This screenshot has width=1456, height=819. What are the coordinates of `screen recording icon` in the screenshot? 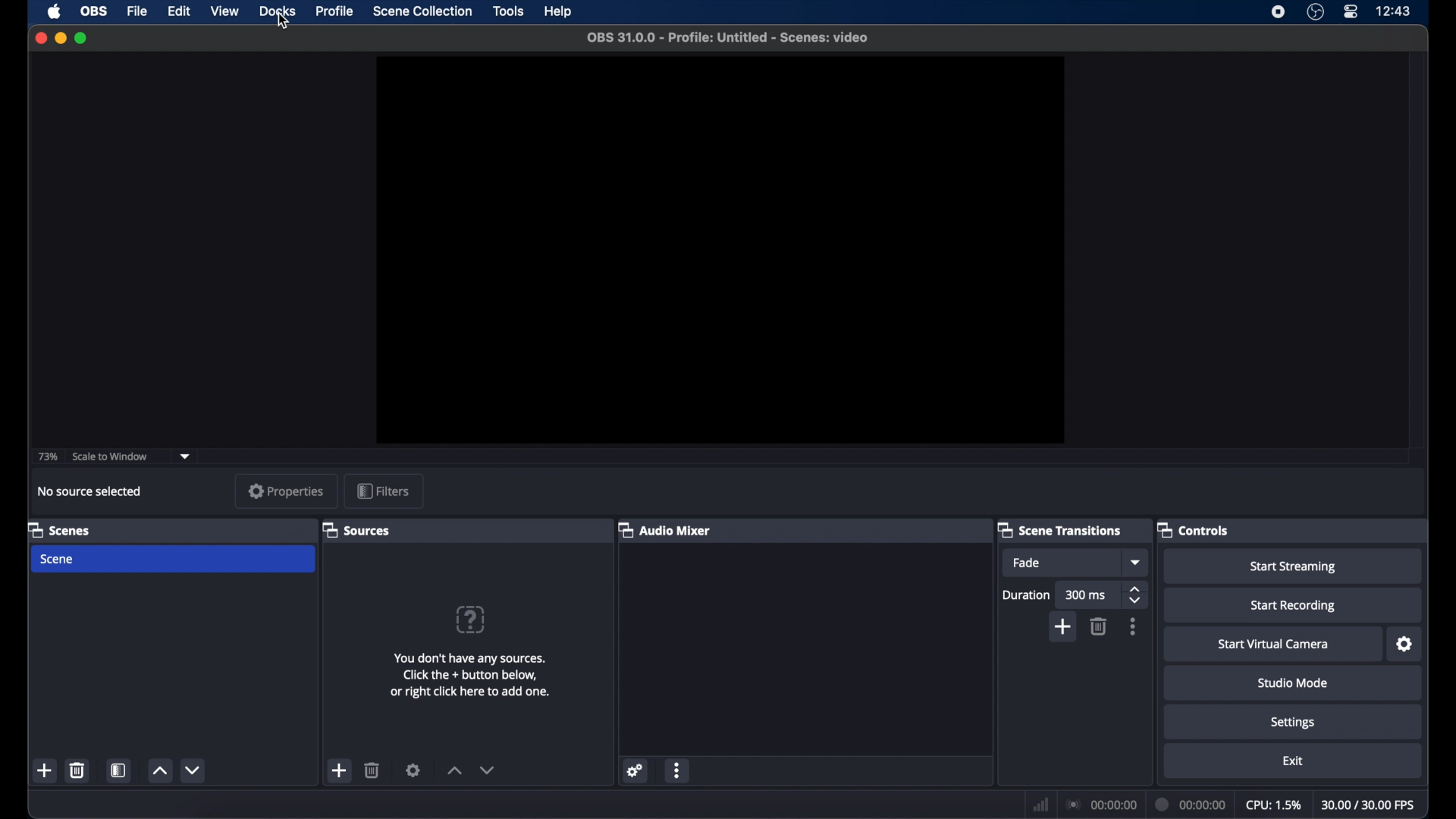 It's located at (1279, 12).